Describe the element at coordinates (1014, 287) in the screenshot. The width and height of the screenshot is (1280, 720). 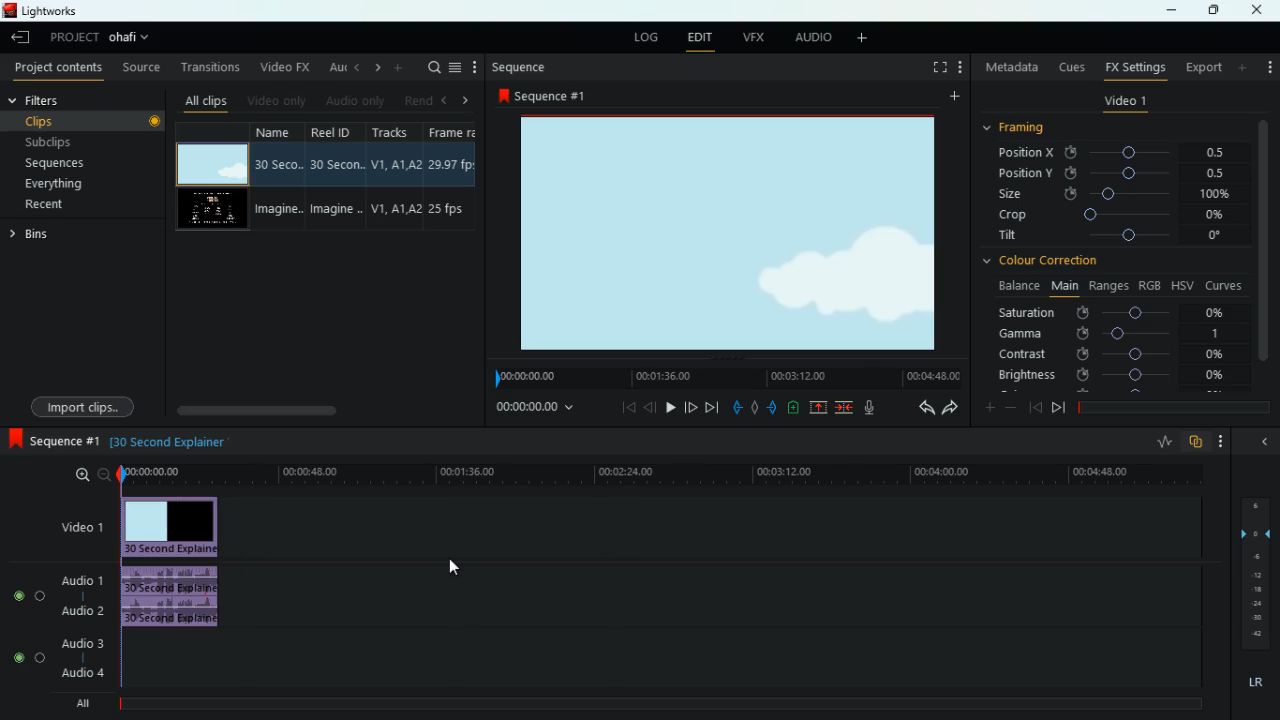
I see `balance` at that location.